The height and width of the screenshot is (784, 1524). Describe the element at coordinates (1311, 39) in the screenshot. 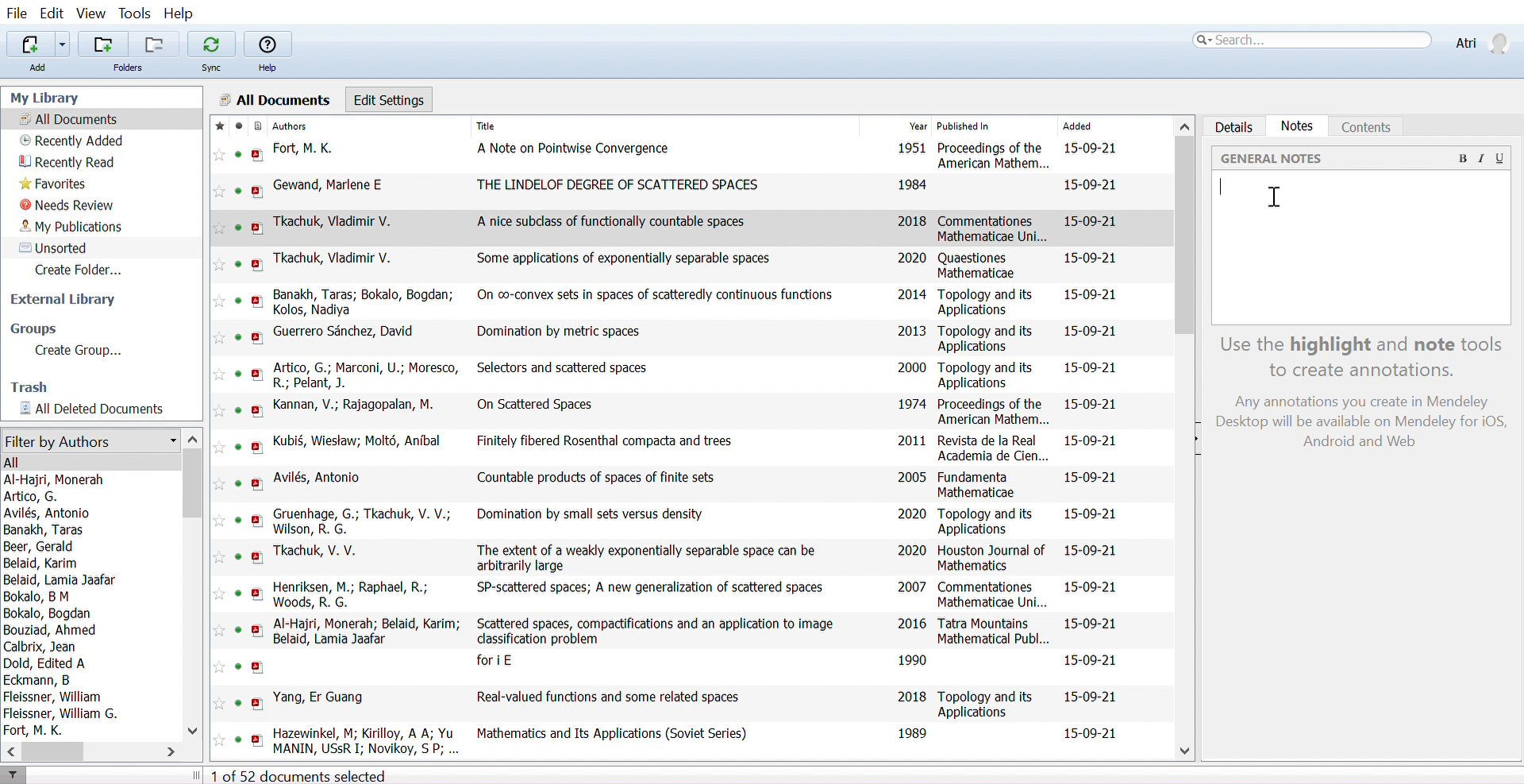

I see `Search` at that location.